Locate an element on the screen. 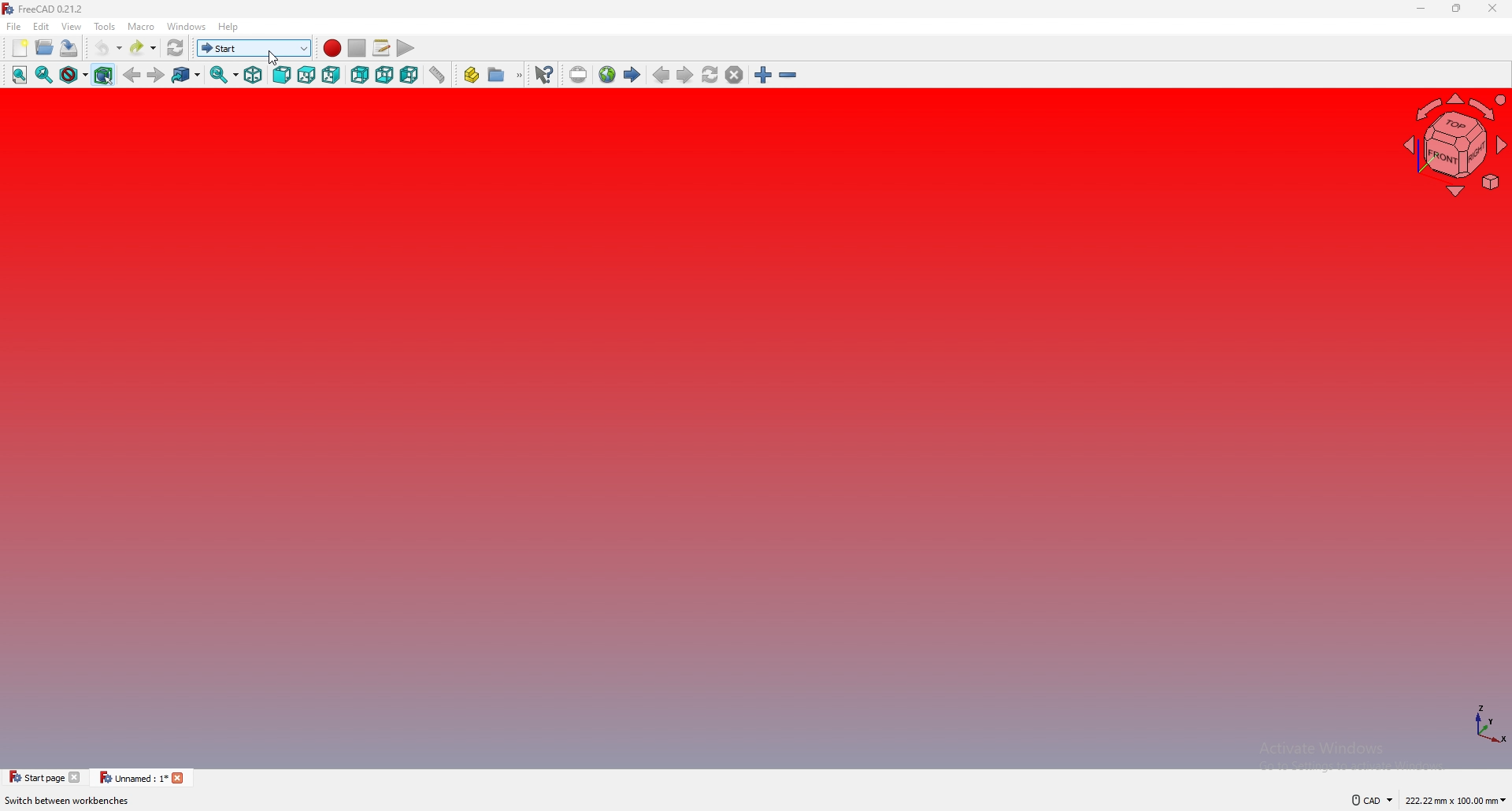 This screenshot has height=811, width=1512. undo is located at coordinates (109, 47).